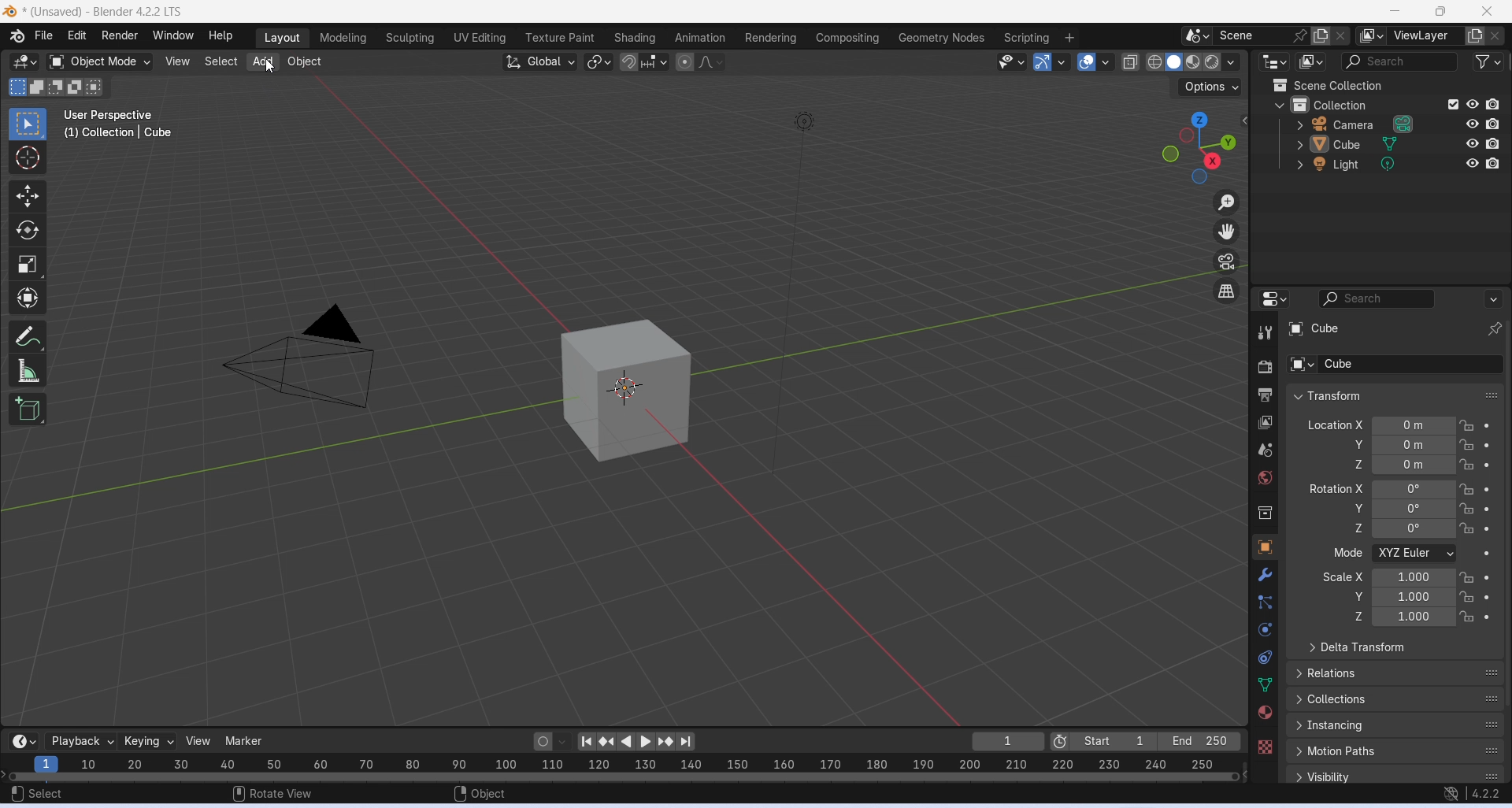 The height and width of the screenshot is (808, 1512). What do you see at coordinates (1398, 775) in the screenshot?
I see `visibility` at bounding box center [1398, 775].